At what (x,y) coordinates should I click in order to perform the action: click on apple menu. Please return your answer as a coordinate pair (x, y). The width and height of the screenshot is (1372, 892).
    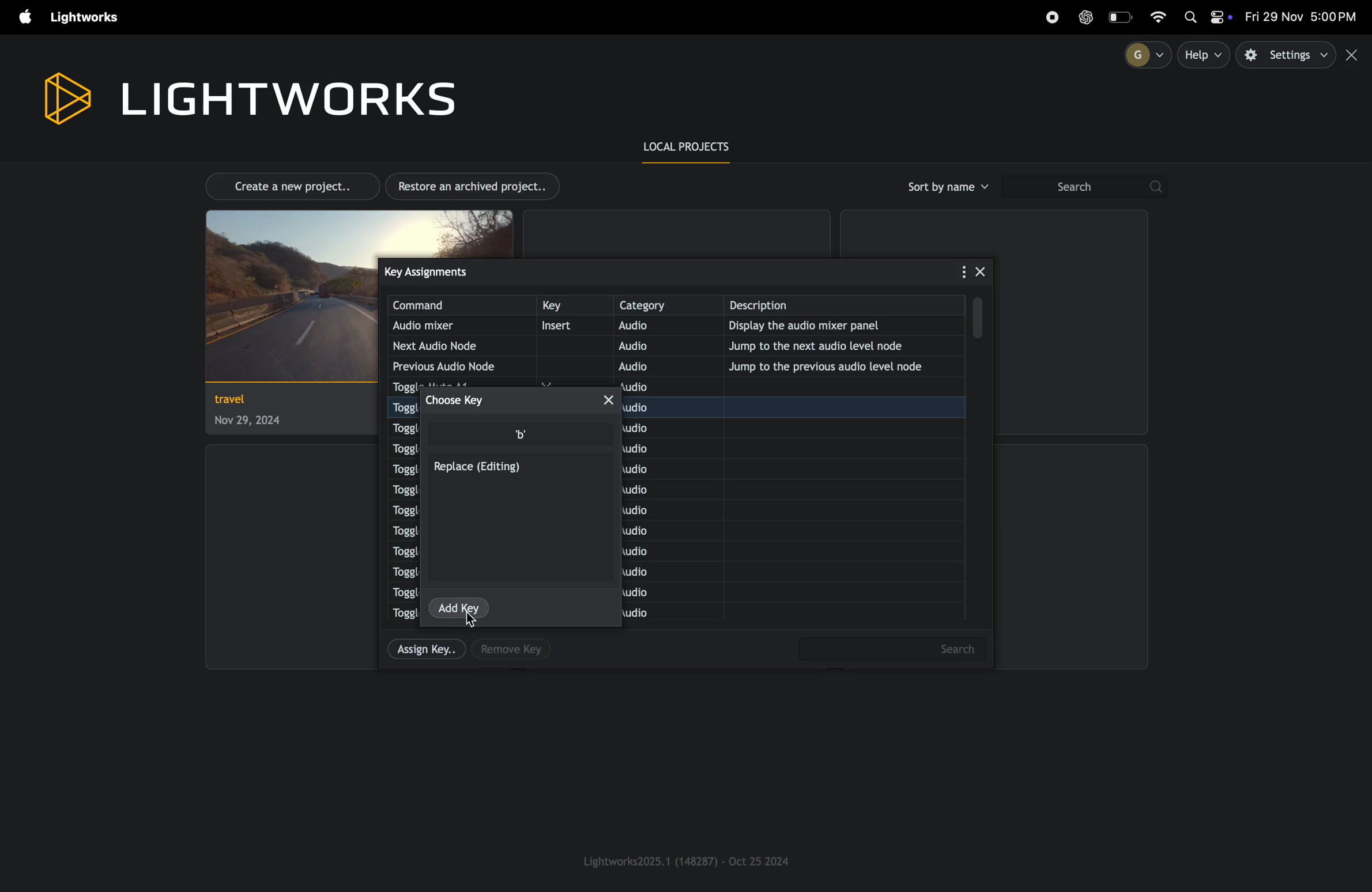
    Looking at the image, I should click on (20, 18).